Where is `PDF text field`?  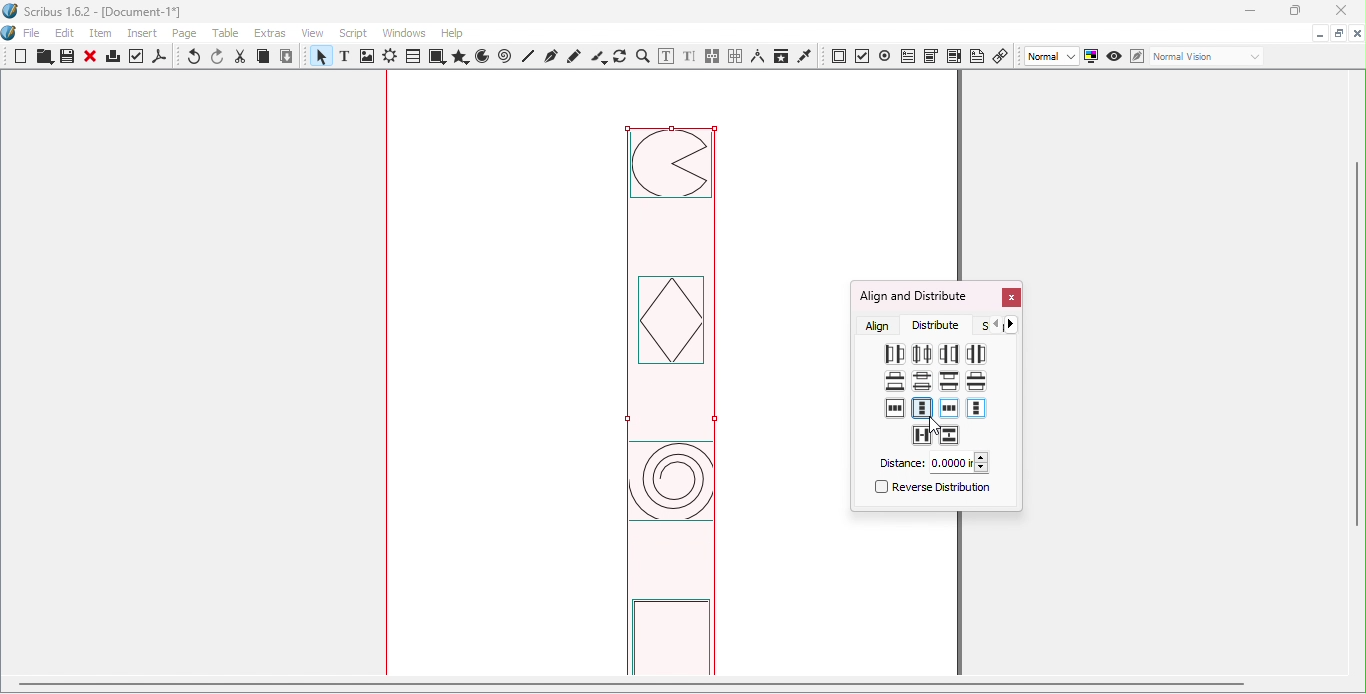
PDF text field is located at coordinates (907, 54).